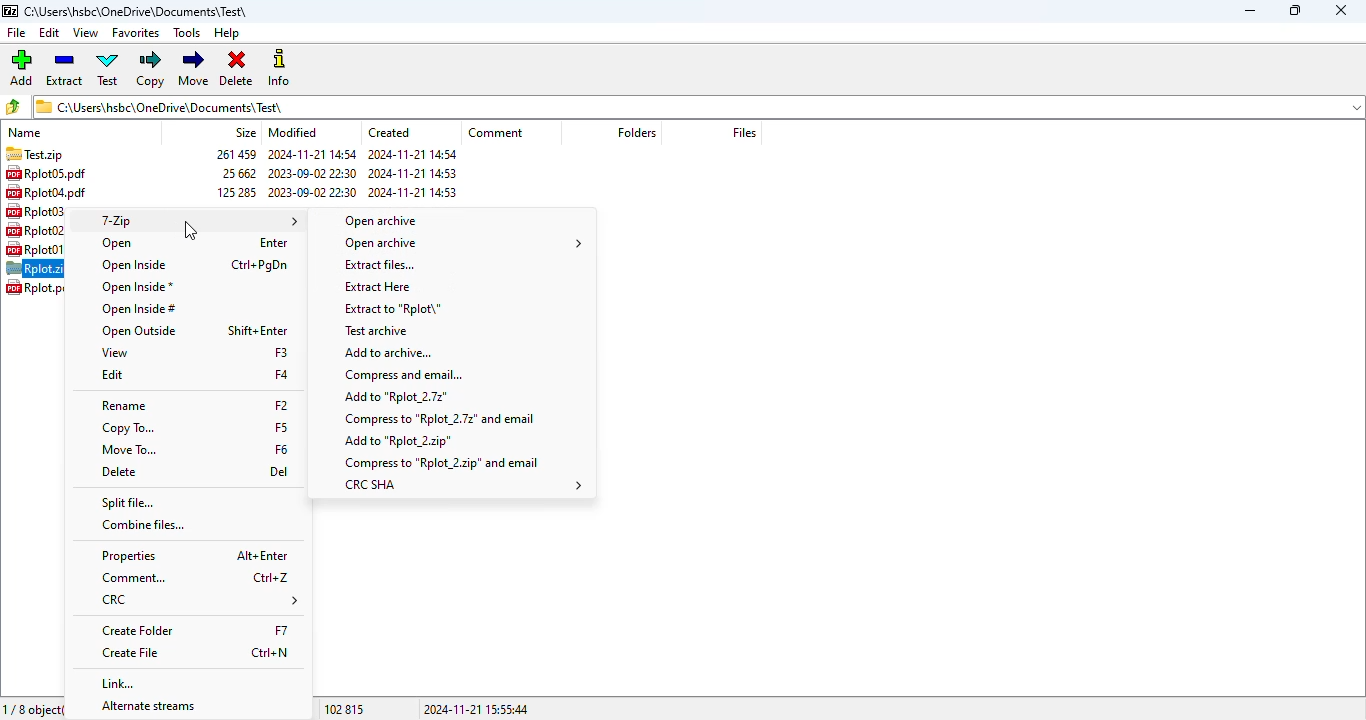 The image size is (1366, 720). What do you see at coordinates (145, 525) in the screenshot?
I see `combine files` at bounding box center [145, 525].